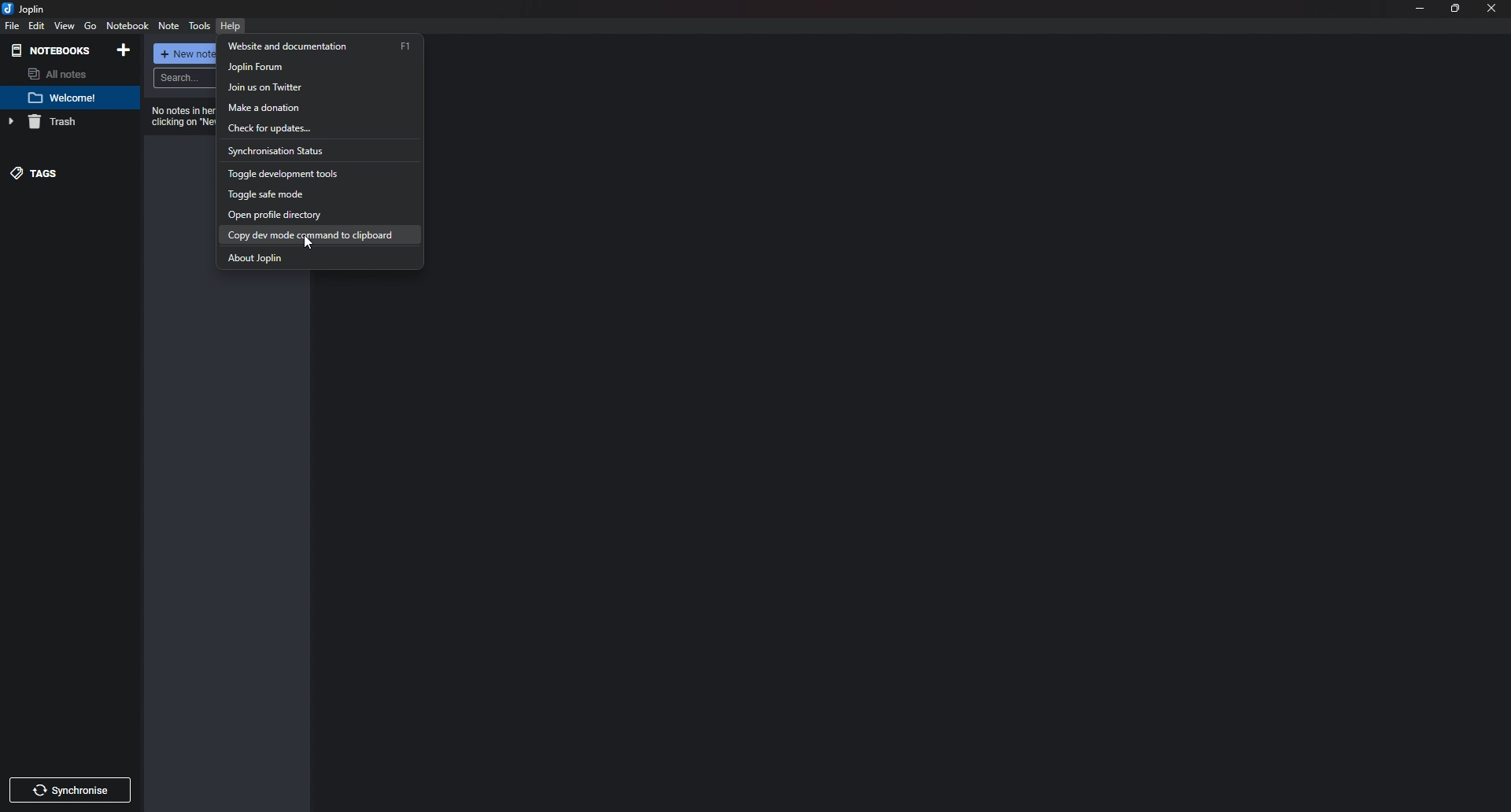 The height and width of the screenshot is (812, 1511). Describe the element at coordinates (64, 173) in the screenshot. I see `tags` at that location.